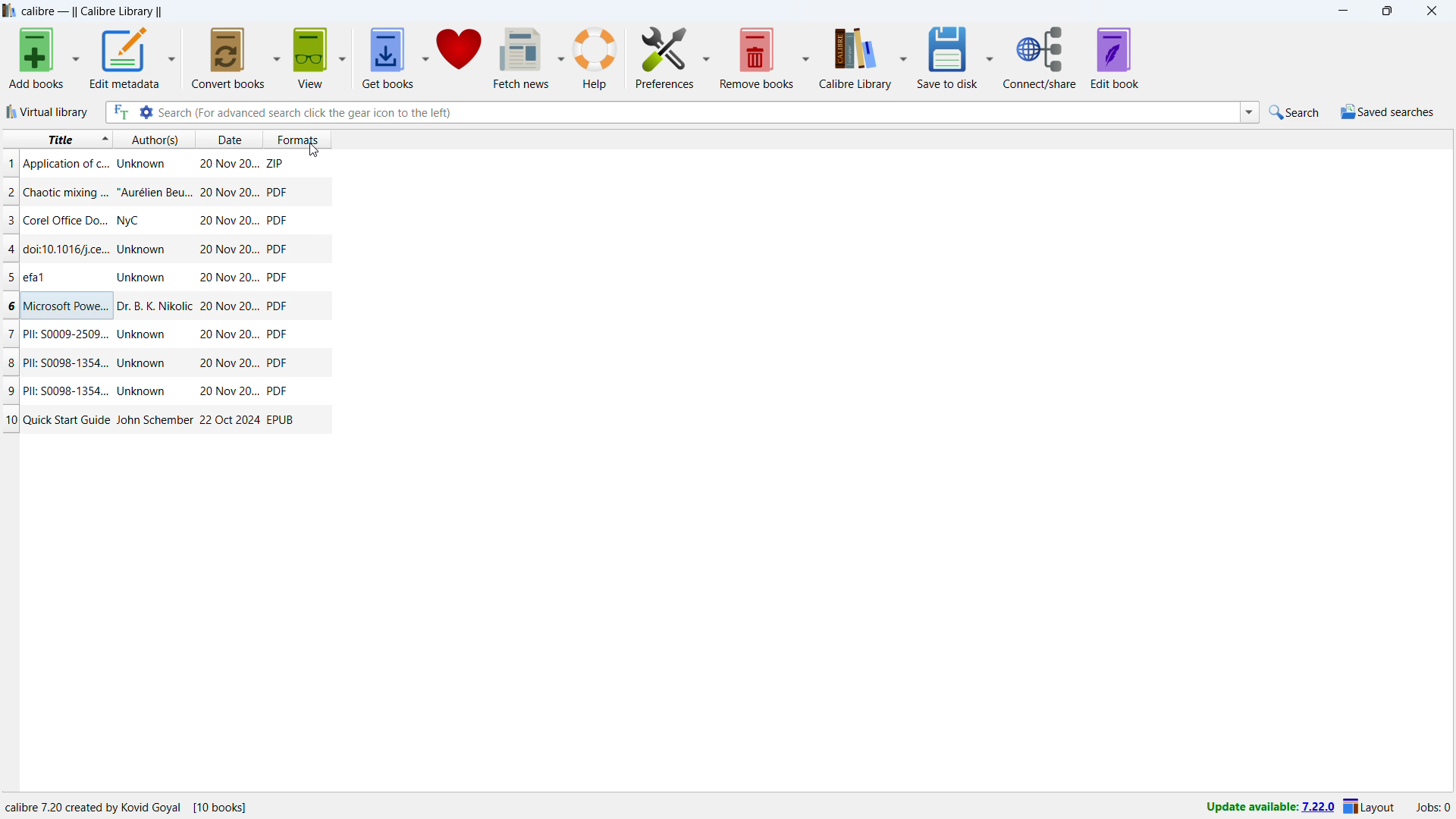 Image resolution: width=1456 pixels, height=819 pixels. What do you see at coordinates (595, 57) in the screenshot?
I see `help` at bounding box center [595, 57].